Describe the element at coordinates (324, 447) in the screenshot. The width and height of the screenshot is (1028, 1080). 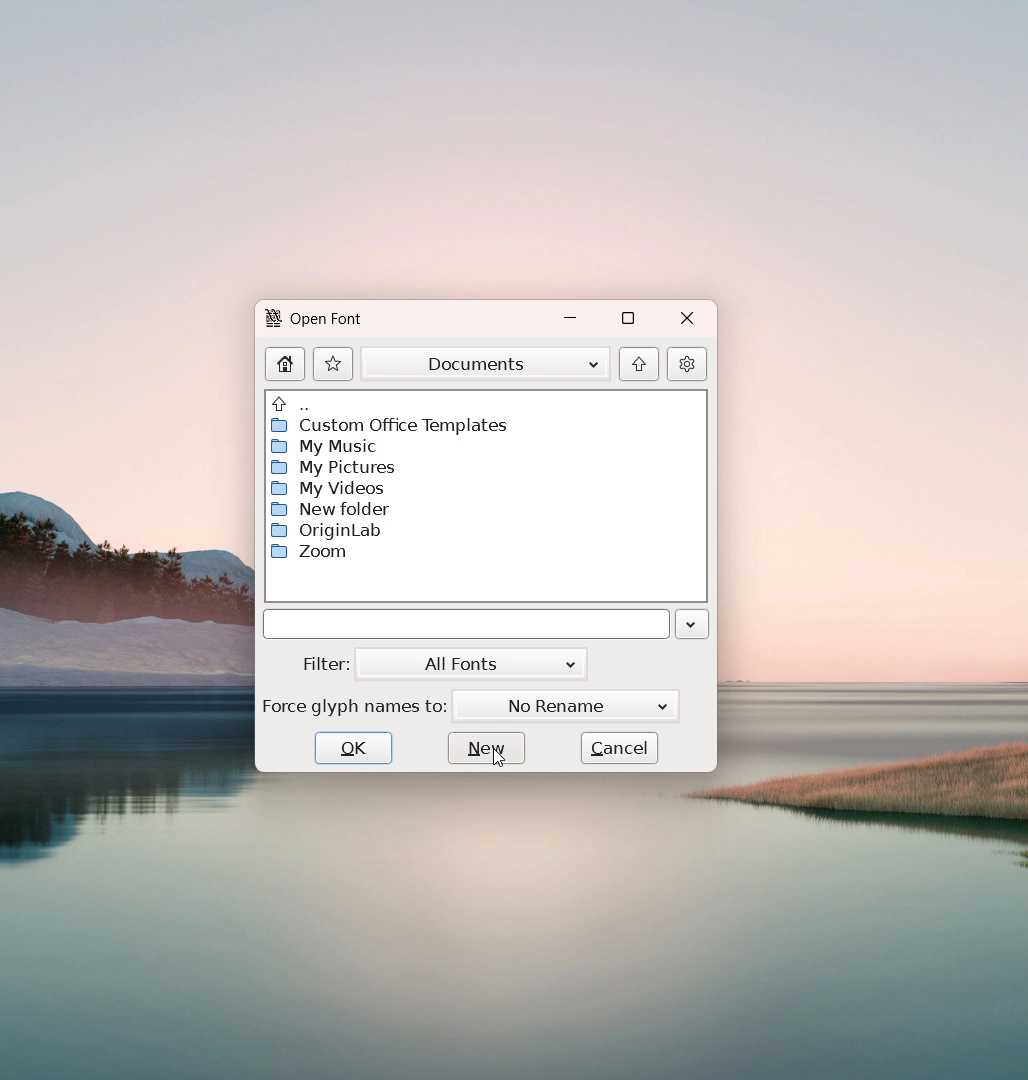
I see `My Music` at that location.